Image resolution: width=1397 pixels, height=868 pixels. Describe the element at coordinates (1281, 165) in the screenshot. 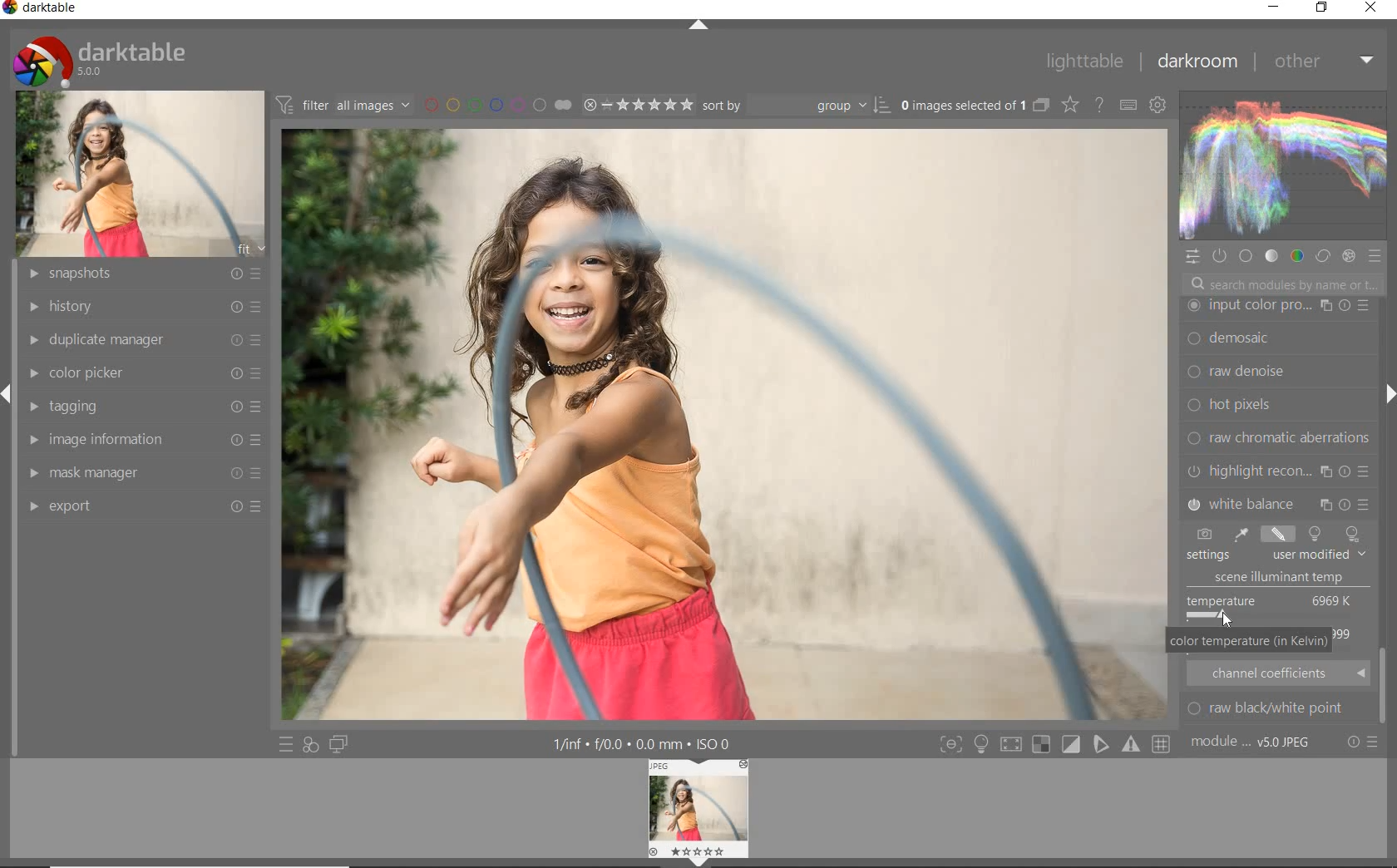

I see `waveform` at that location.